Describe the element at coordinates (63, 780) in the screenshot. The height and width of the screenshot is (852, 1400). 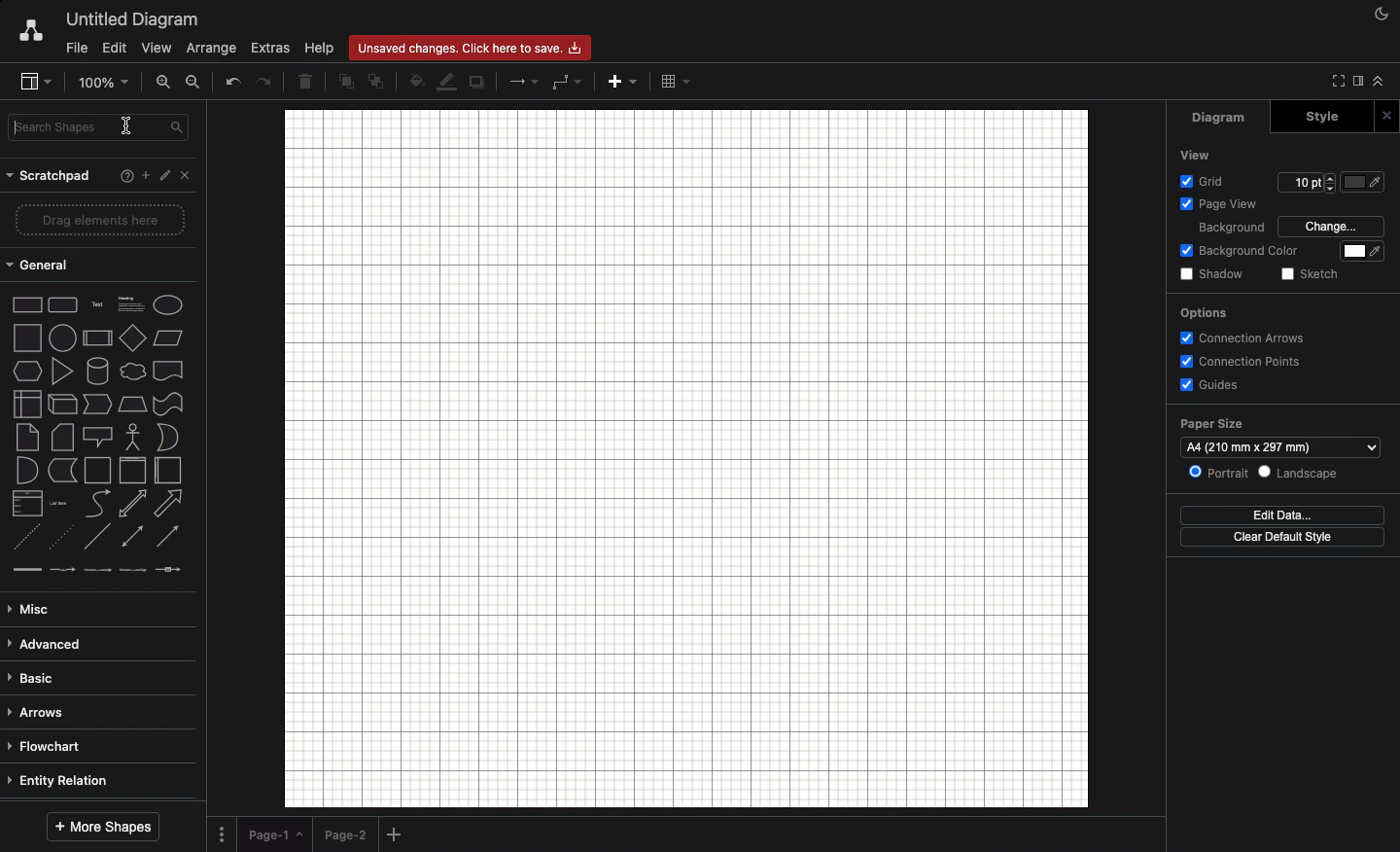
I see `Entity relation` at that location.